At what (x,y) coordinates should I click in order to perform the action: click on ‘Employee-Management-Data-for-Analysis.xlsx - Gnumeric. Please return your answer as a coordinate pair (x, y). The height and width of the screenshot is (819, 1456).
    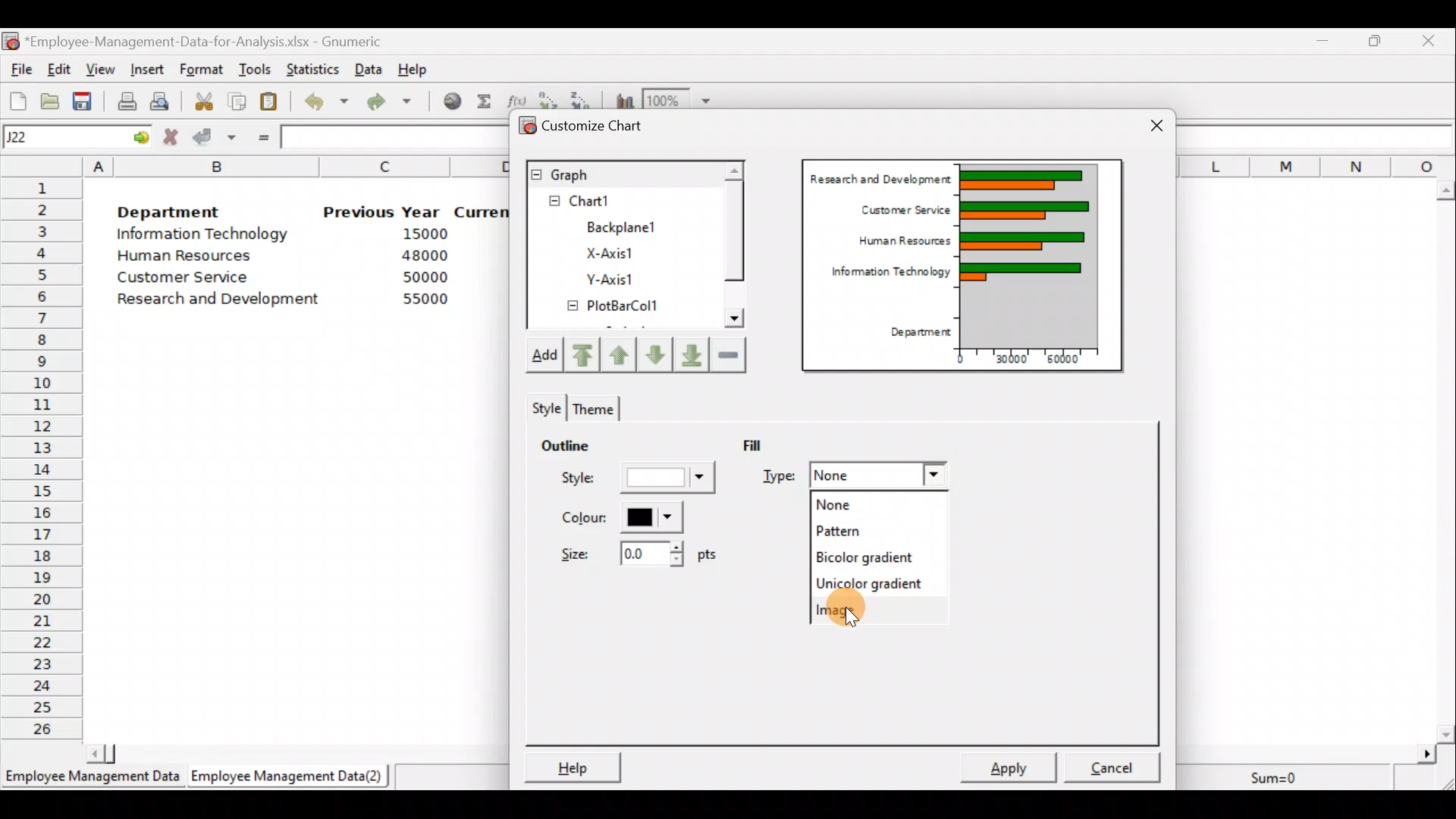
    Looking at the image, I should click on (219, 42).